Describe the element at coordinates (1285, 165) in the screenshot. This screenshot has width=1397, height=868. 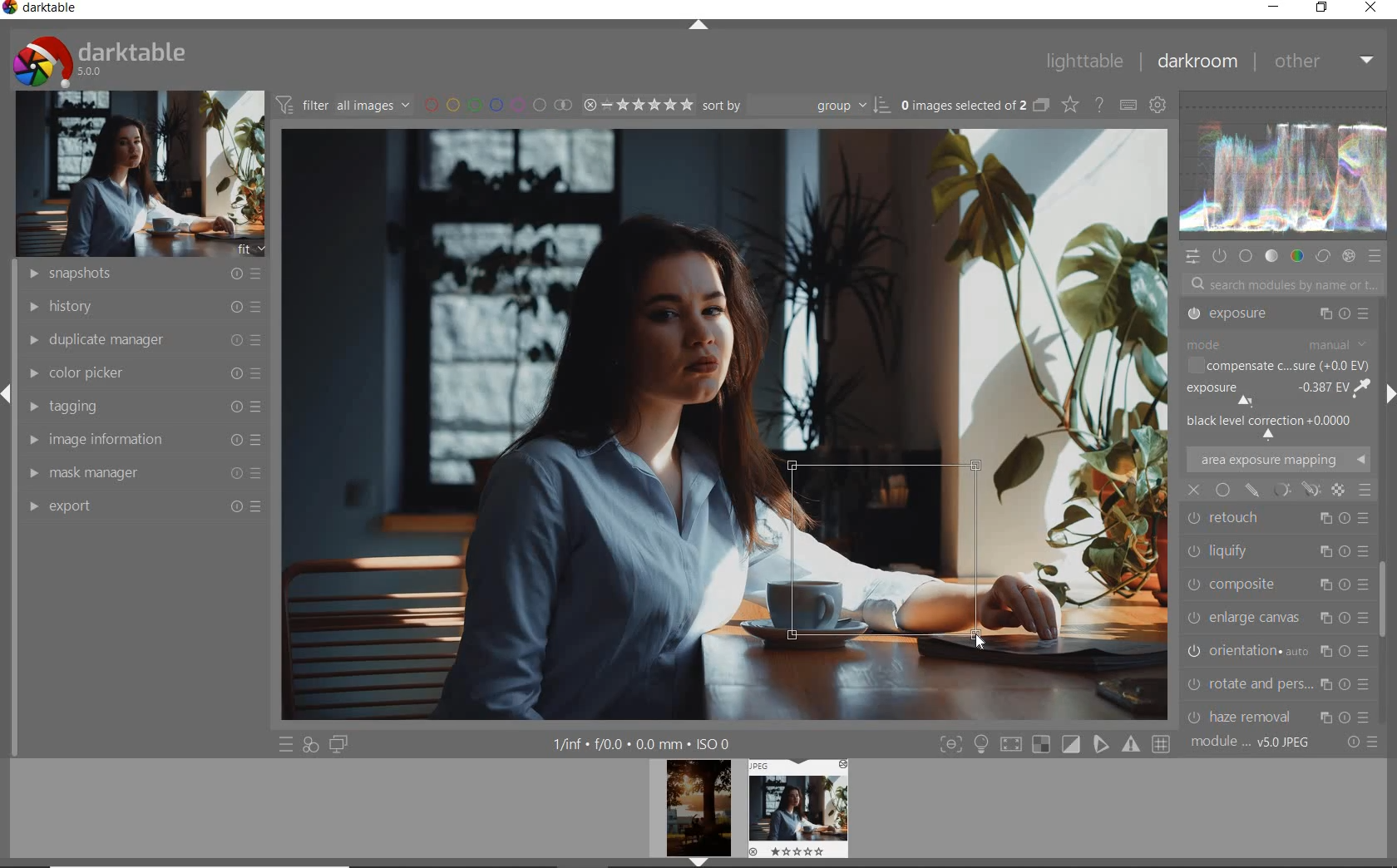
I see `WAVEFORM` at that location.